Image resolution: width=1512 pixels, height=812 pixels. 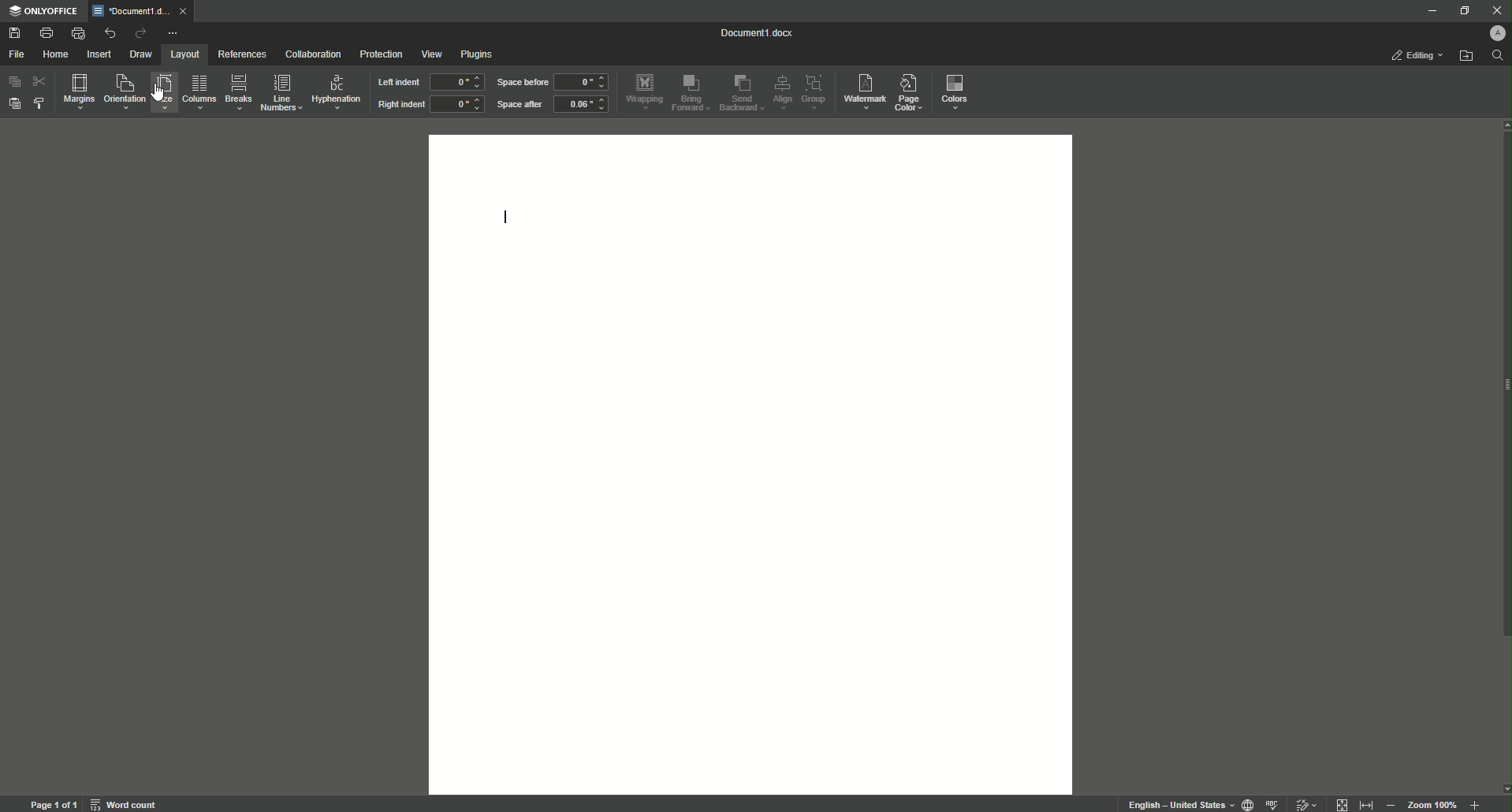 What do you see at coordinates (1497, 35) in the screenshot?
I see `Profile` at bounding box center [1497, 35].